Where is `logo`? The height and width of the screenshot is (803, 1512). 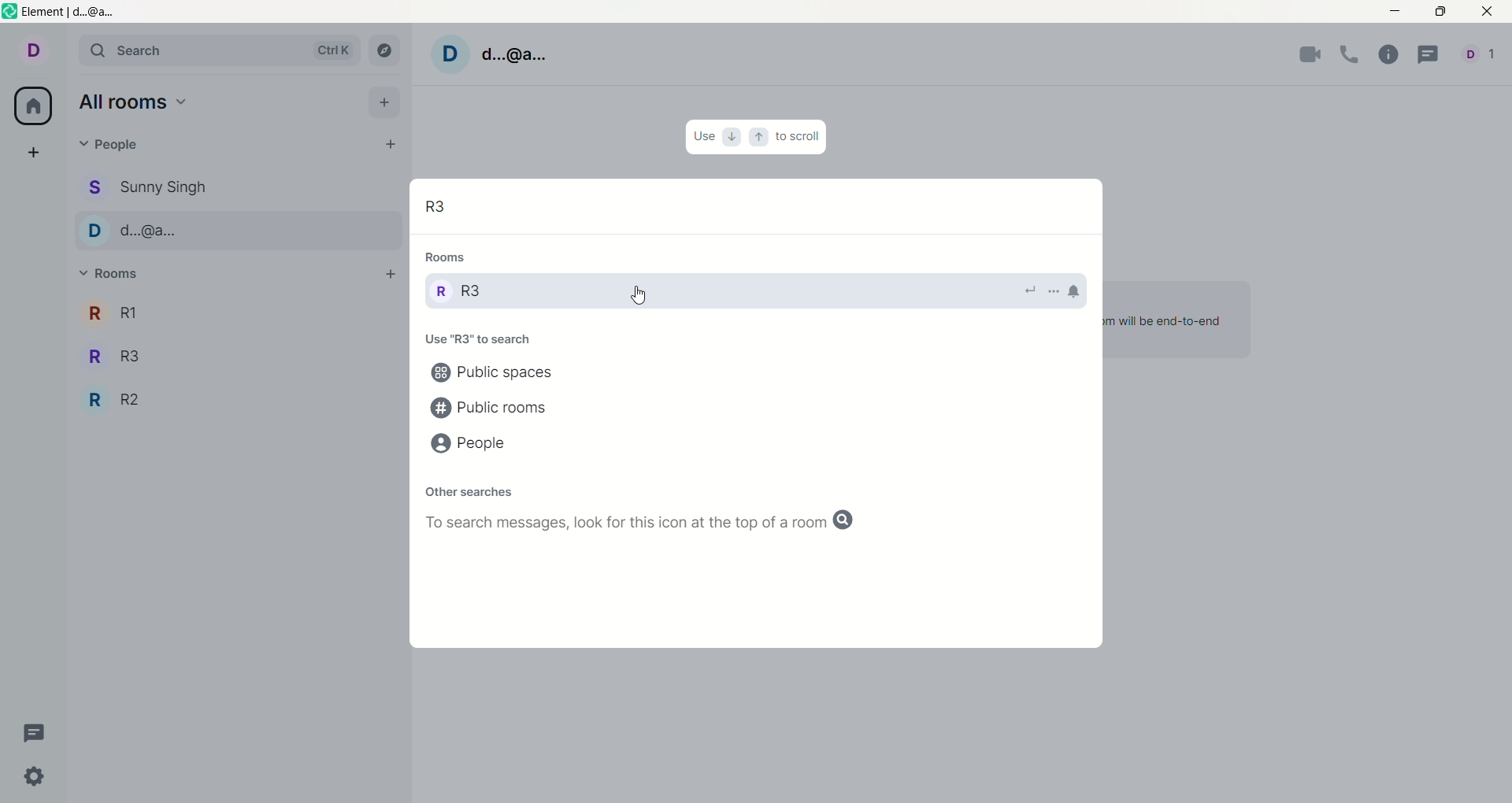
logo is located at coordinates (10, 13).